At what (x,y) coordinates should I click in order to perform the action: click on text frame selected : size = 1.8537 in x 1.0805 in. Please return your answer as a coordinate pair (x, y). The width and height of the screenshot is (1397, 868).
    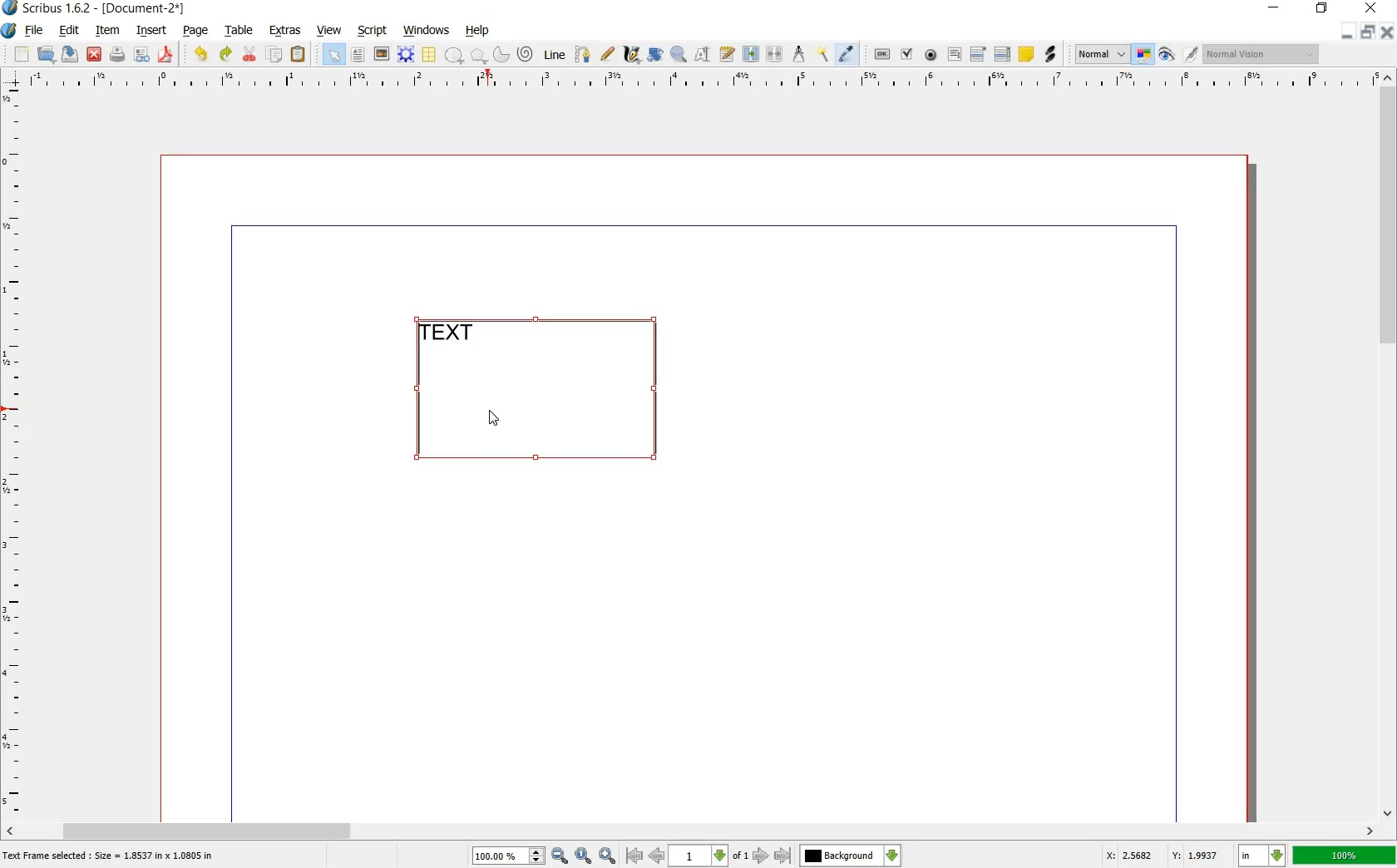
    Looking at the image, I should click on (111, 857).